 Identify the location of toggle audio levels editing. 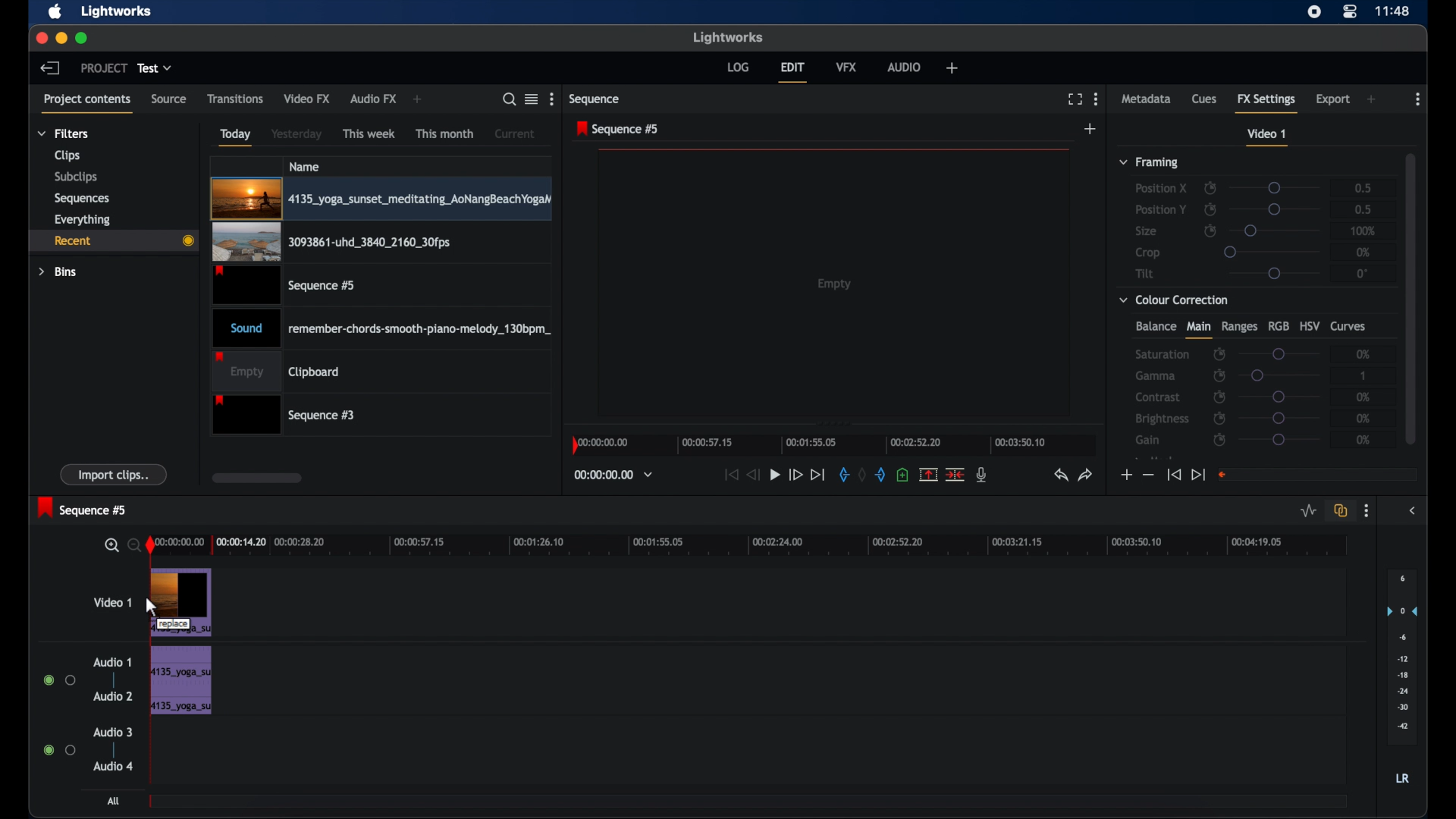
(1307, 510).